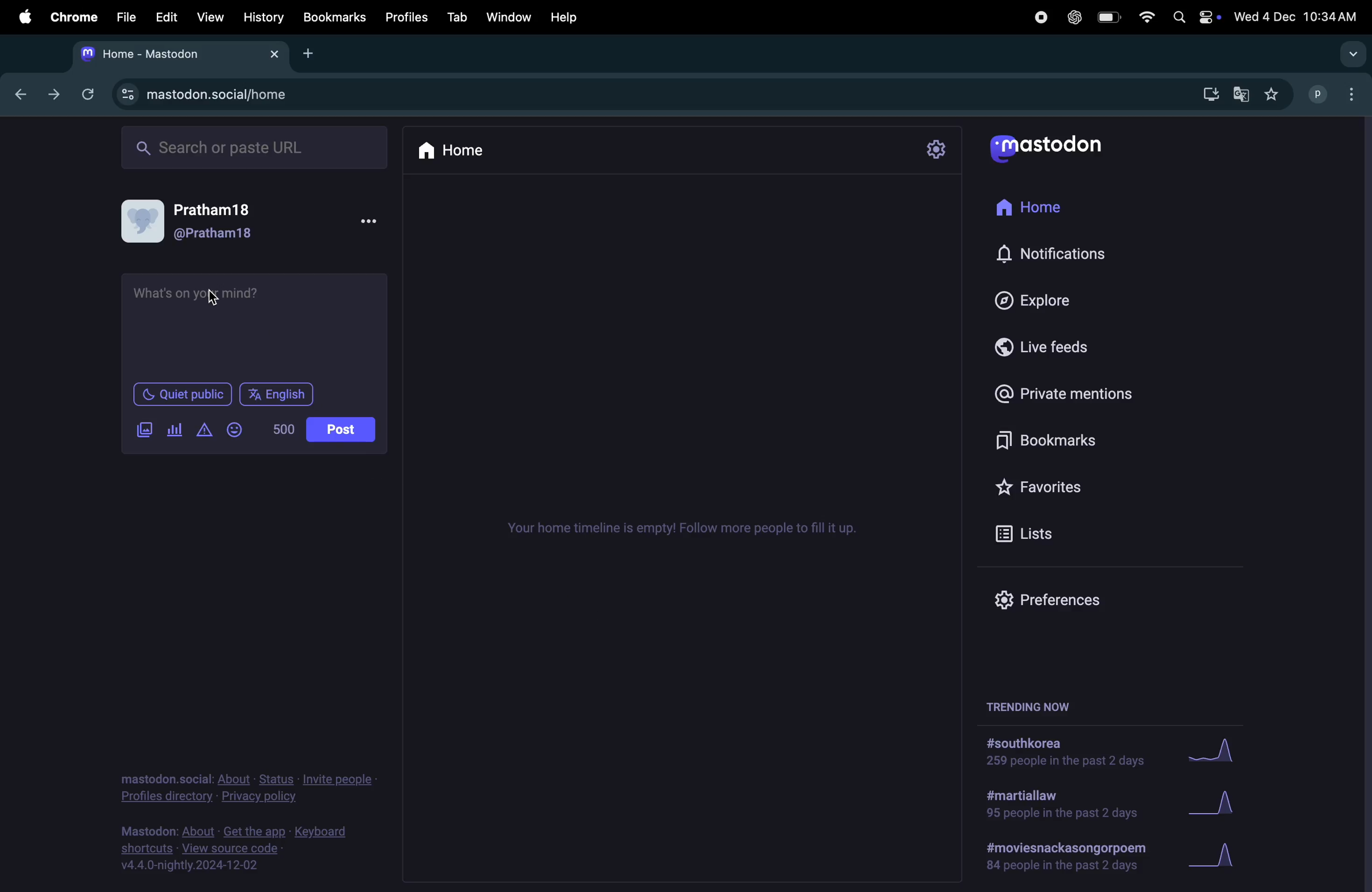 The height and width of the screenshot is (892, 1372). I want to click on Chrome, so click(72, 17).